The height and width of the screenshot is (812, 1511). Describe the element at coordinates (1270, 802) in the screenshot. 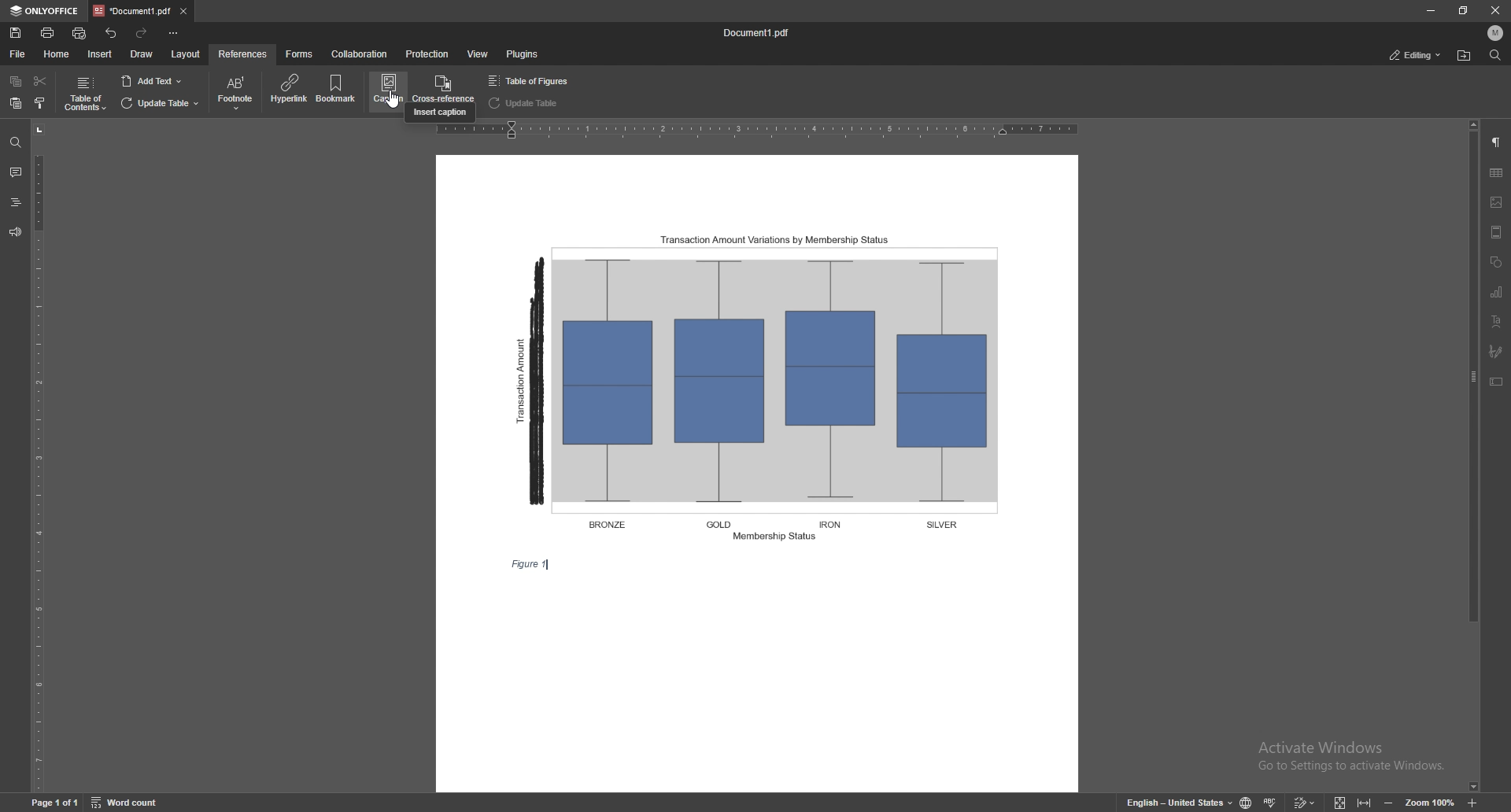

I see `spell check` at that location.